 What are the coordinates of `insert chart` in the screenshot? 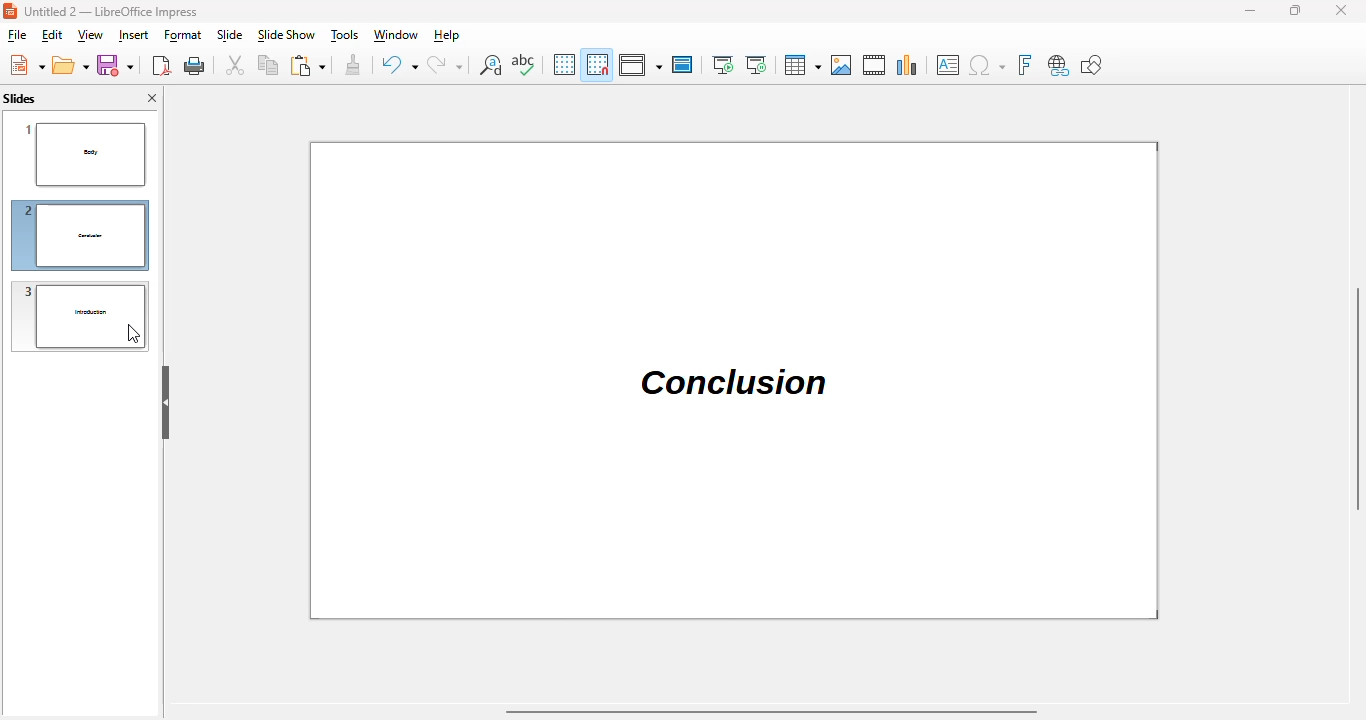 It's located at (908, 64).